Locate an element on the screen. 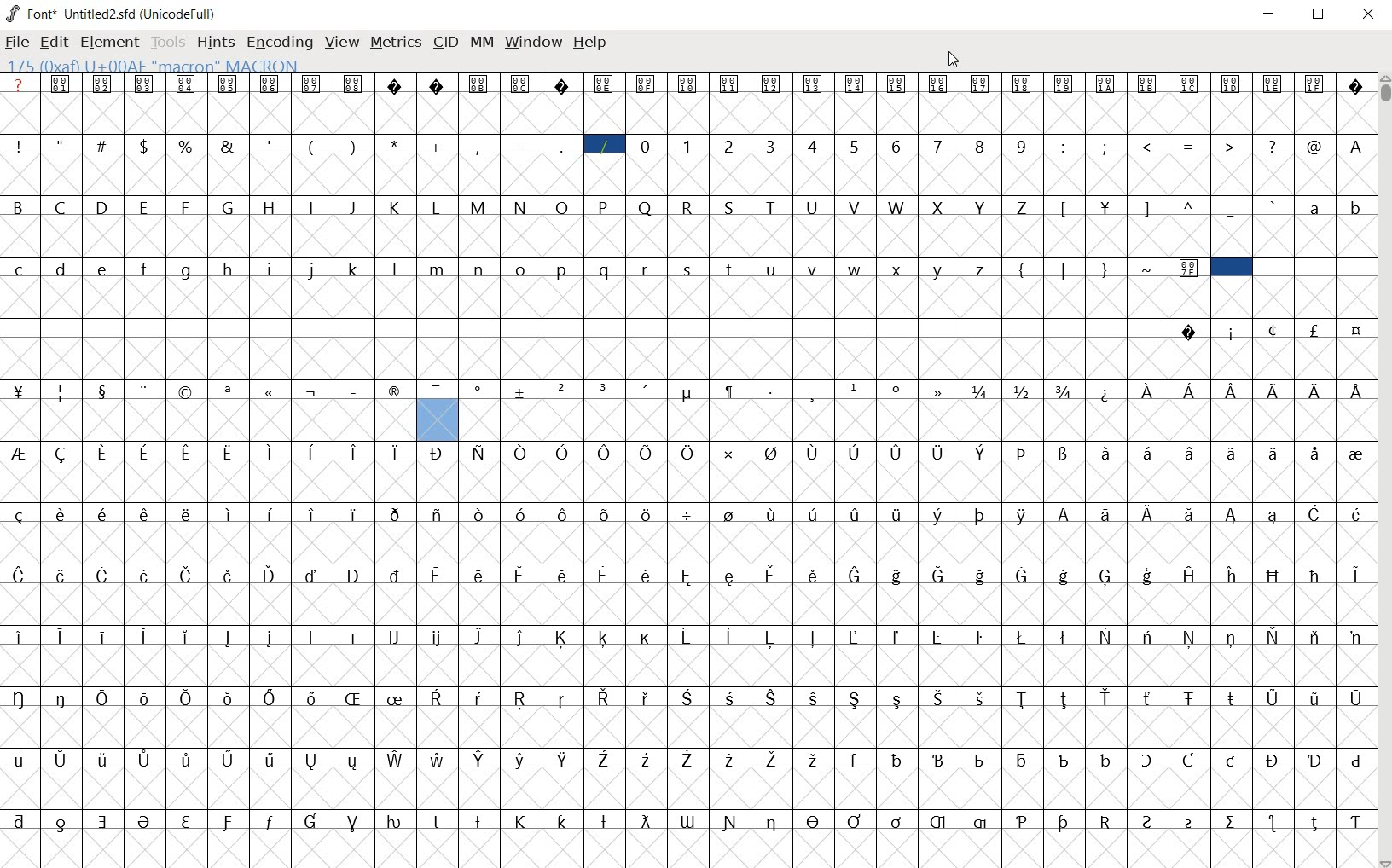  ] is located at coordinates (1147, 206).